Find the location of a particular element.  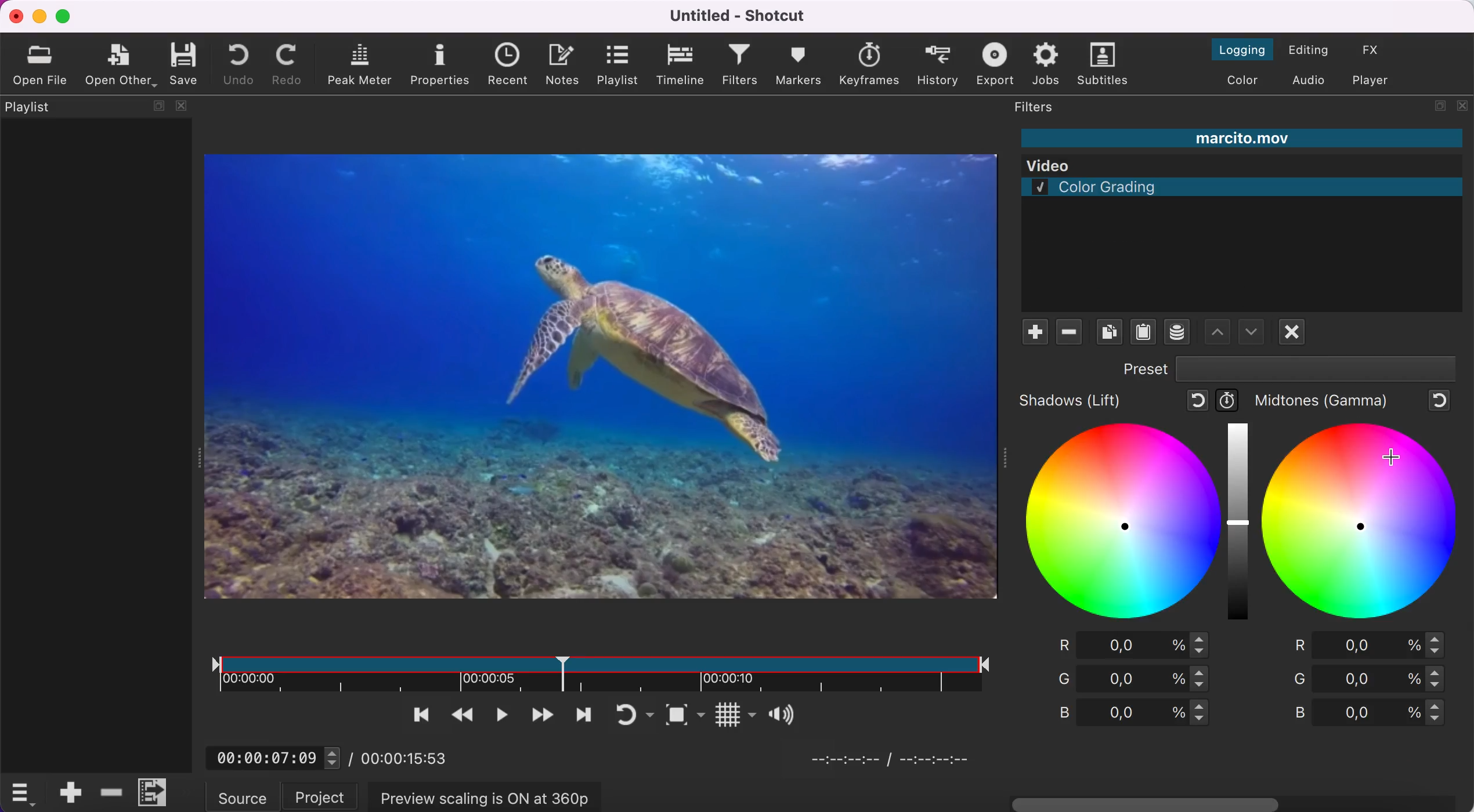

use keyframes for this parameter is located at coordinates (1229, 404).